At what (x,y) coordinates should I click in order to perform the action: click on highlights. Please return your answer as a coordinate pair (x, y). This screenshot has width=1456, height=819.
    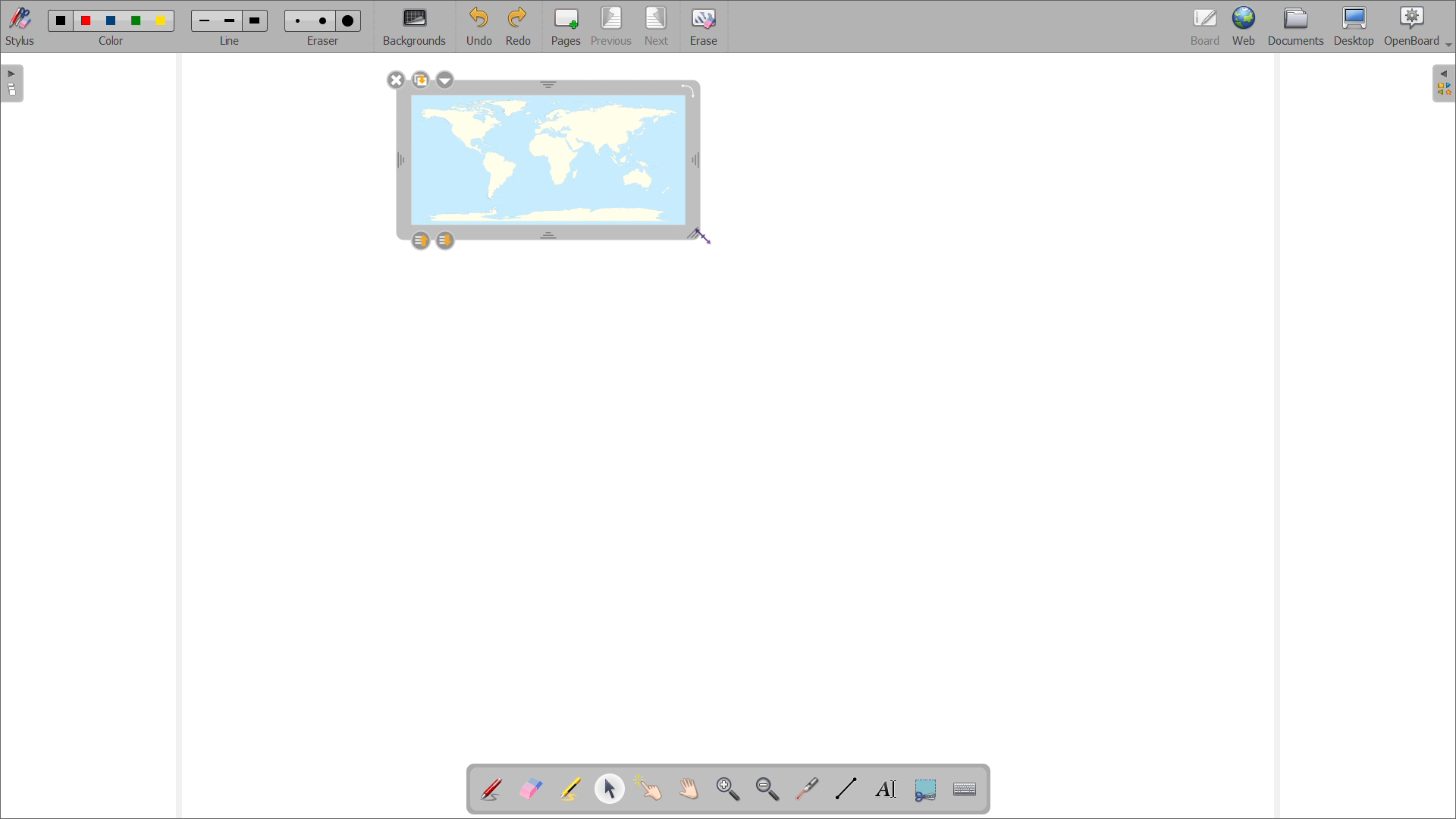
    Looking at the image, I should click on (570, 790).